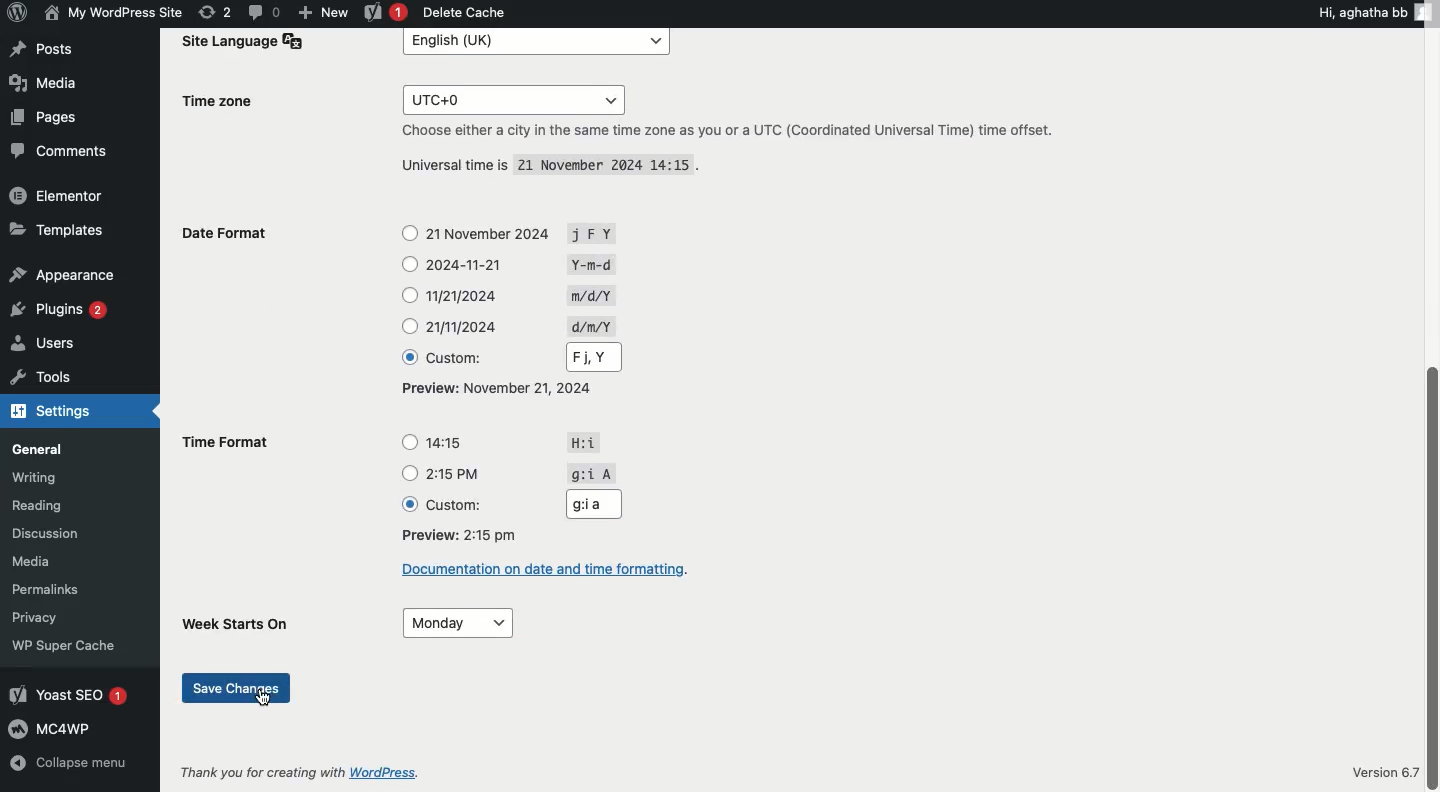  I want to click on UTC+0 , so click(519, 101).